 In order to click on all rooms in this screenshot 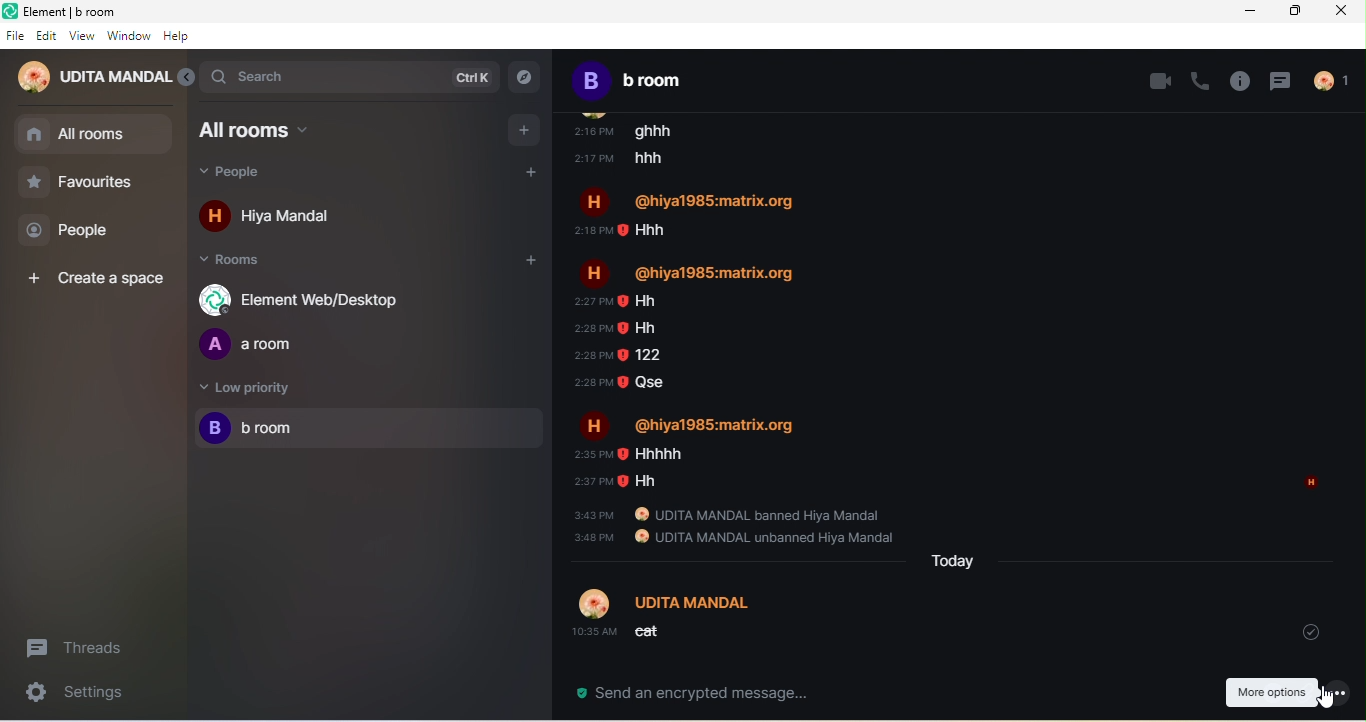, I will do `click(275, 130)`.